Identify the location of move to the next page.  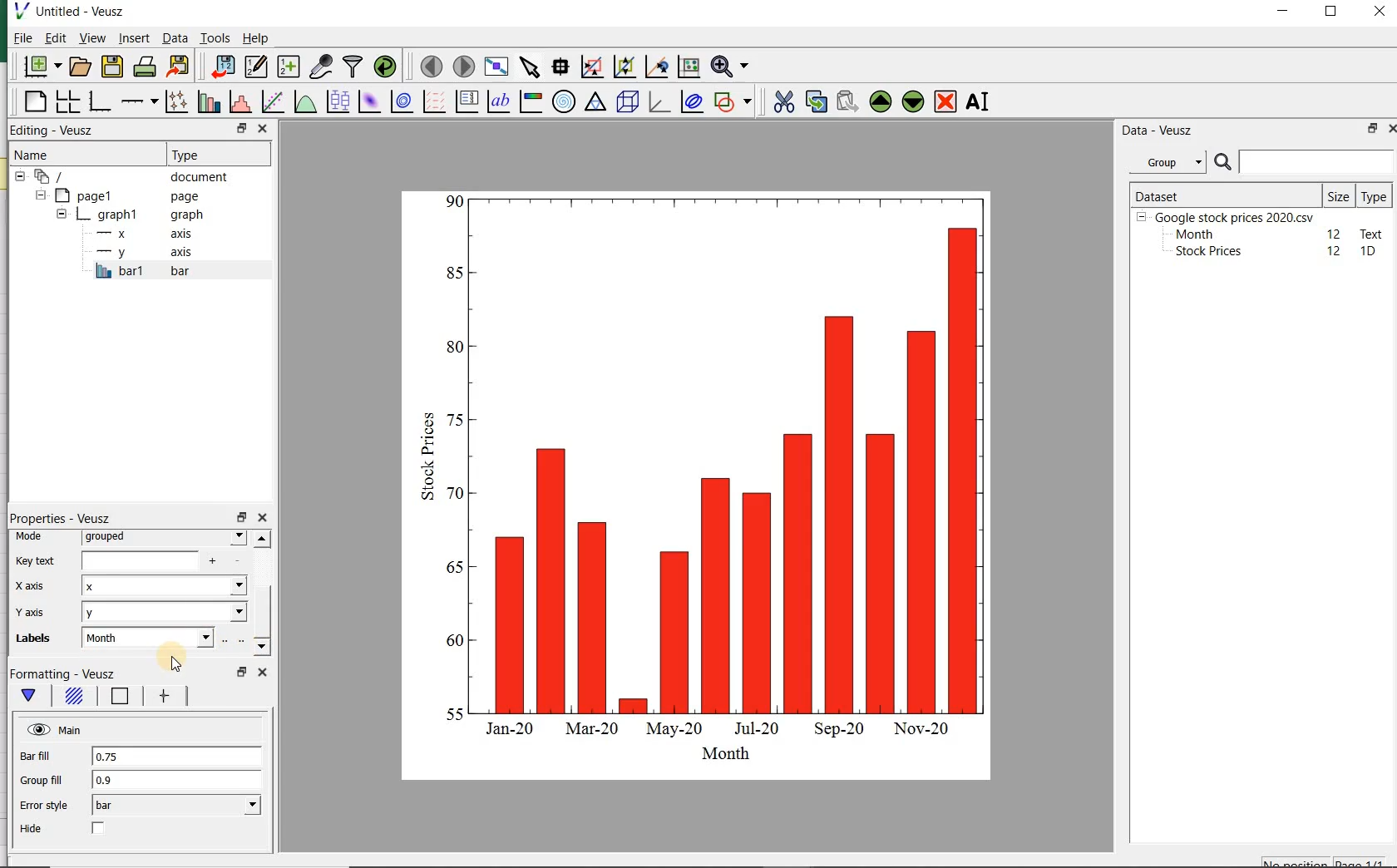
(464, 67).